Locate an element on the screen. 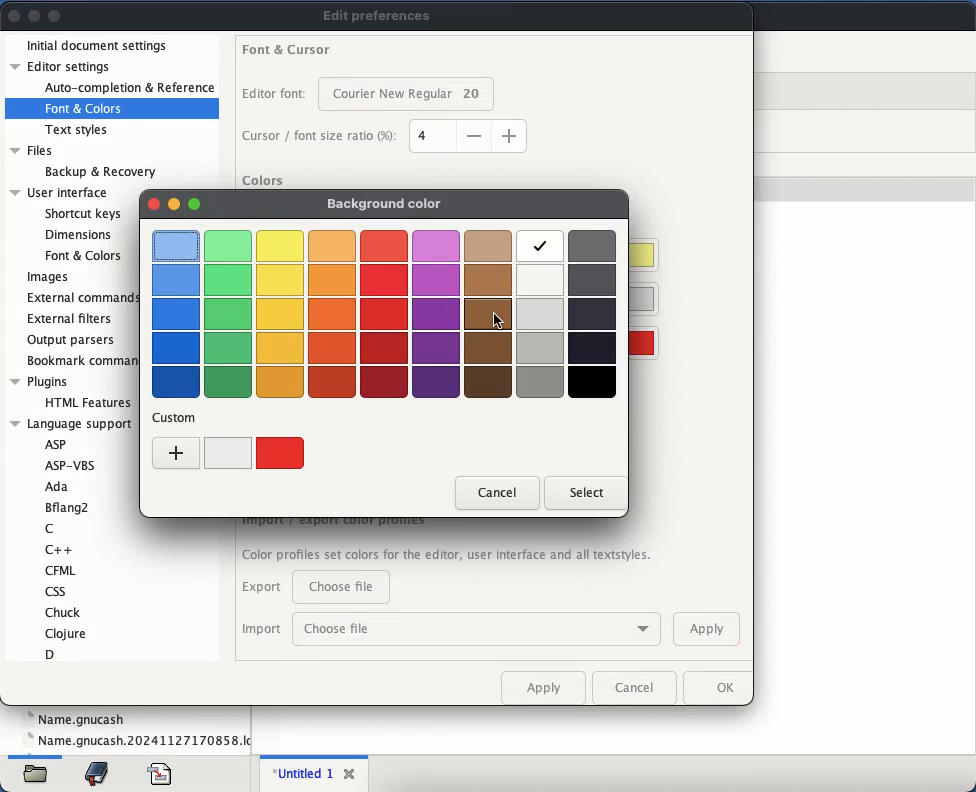 Image resolution: width=976 pixels, height=792 pixels. close is located at coordinates (15, 15).